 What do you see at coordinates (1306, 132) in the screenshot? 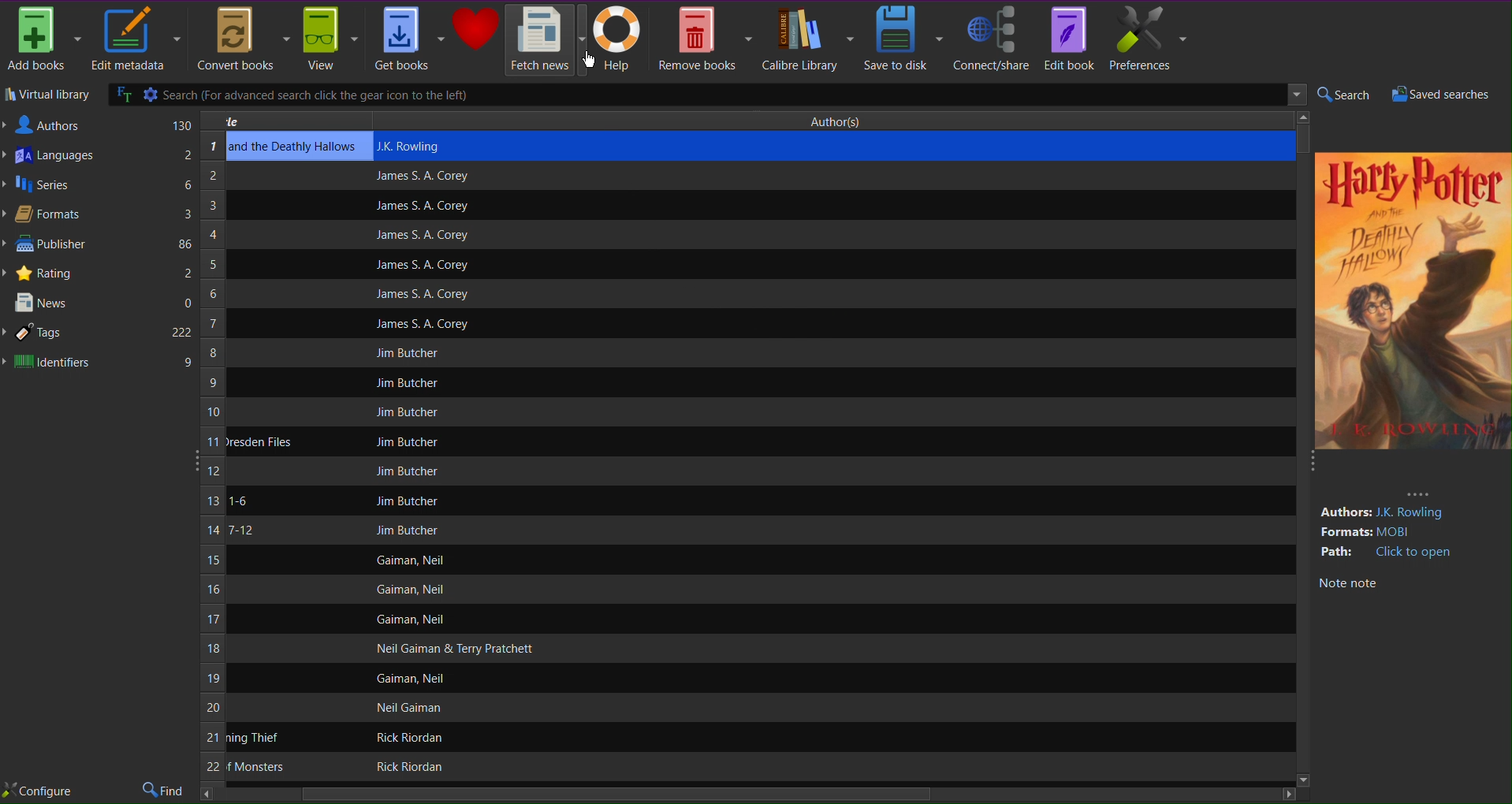
I see `Scrollbar` at bounding box center [1306, 132].